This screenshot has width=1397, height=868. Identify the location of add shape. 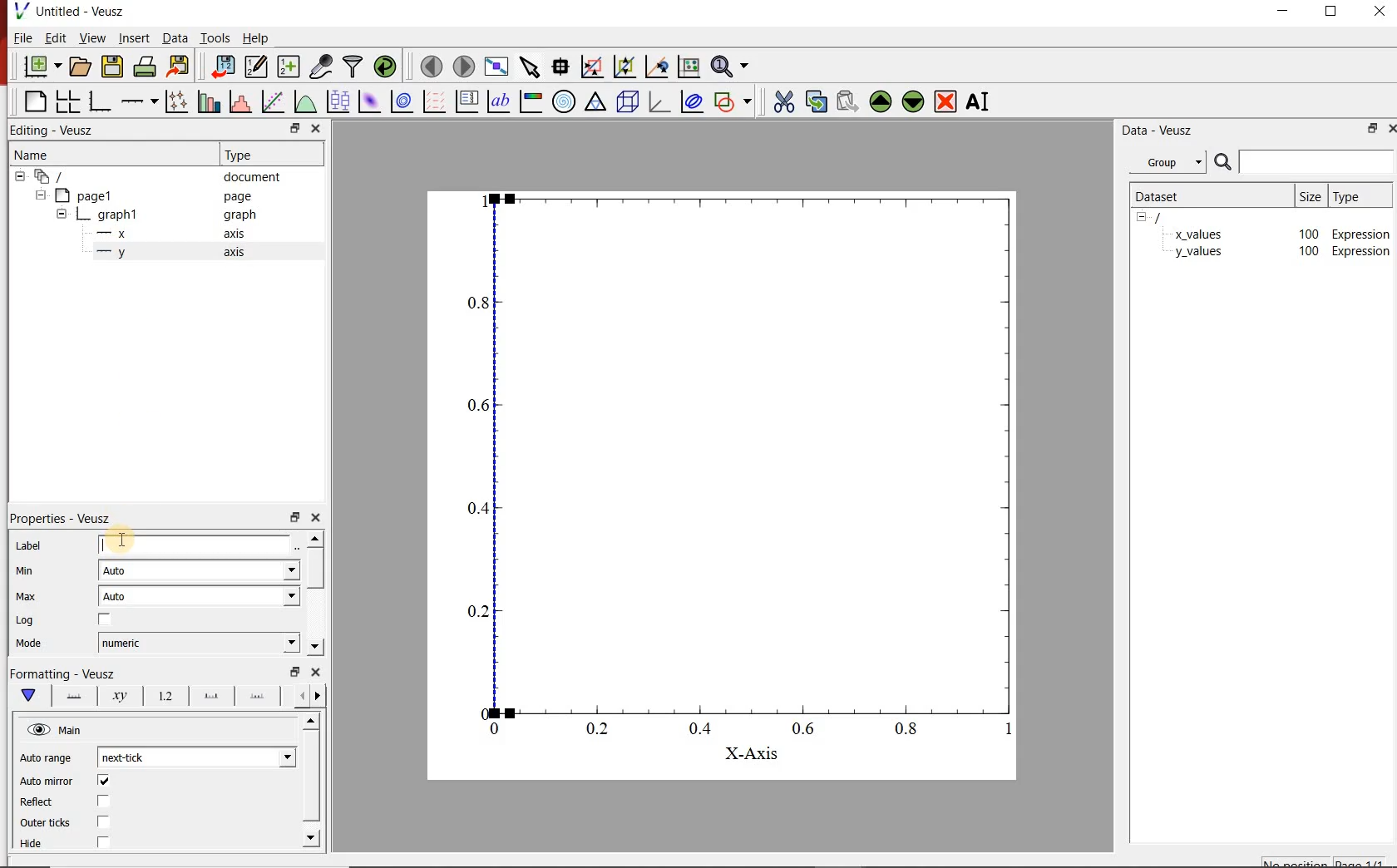
(733, 102).